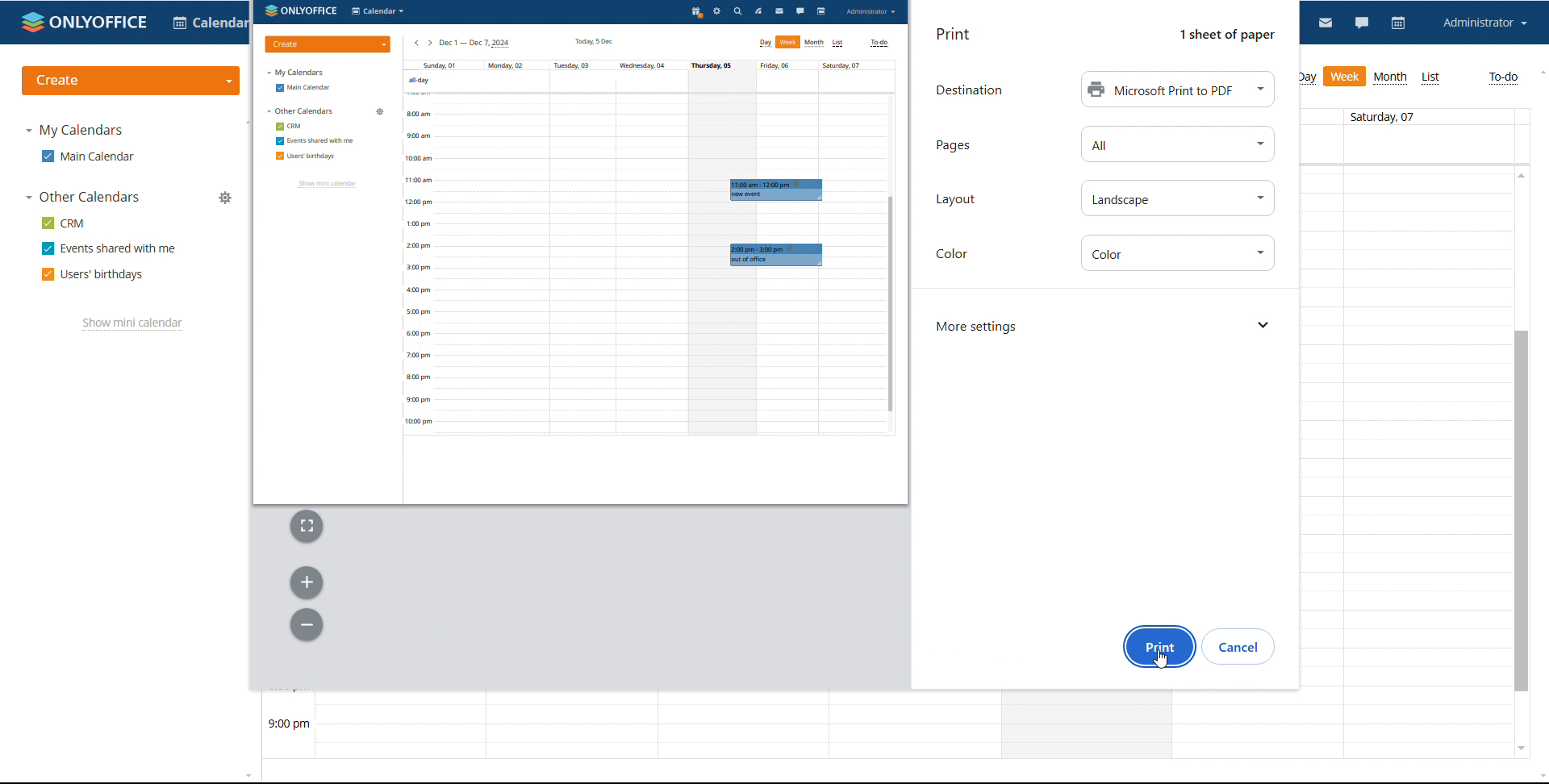 The width and height of the screenshot is (1549, 784). Describe the element at coordinates (1176, 198) in the screenshot. I see `set layout` at that location.